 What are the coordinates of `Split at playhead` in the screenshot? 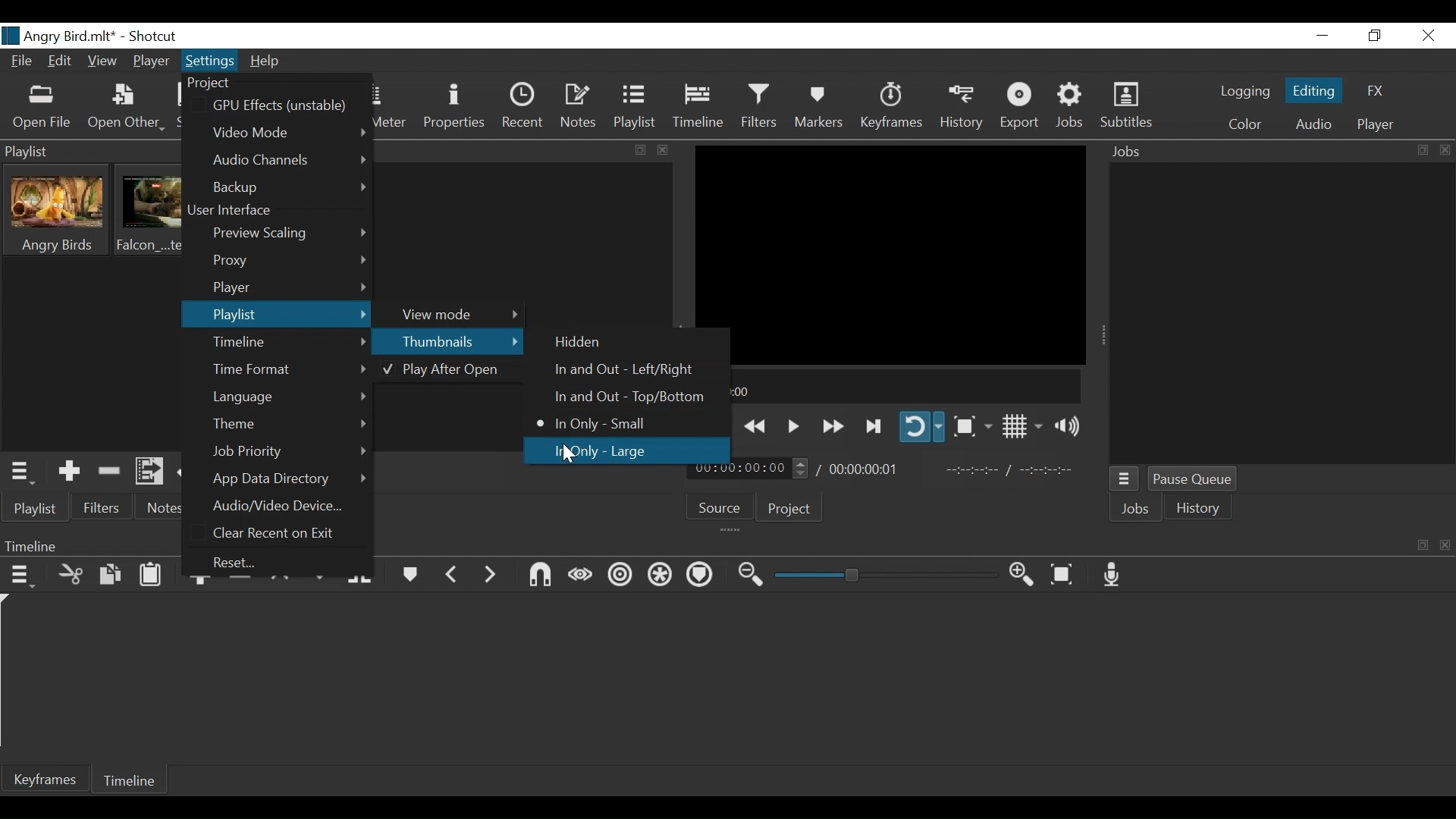 It's located at (361, 577).